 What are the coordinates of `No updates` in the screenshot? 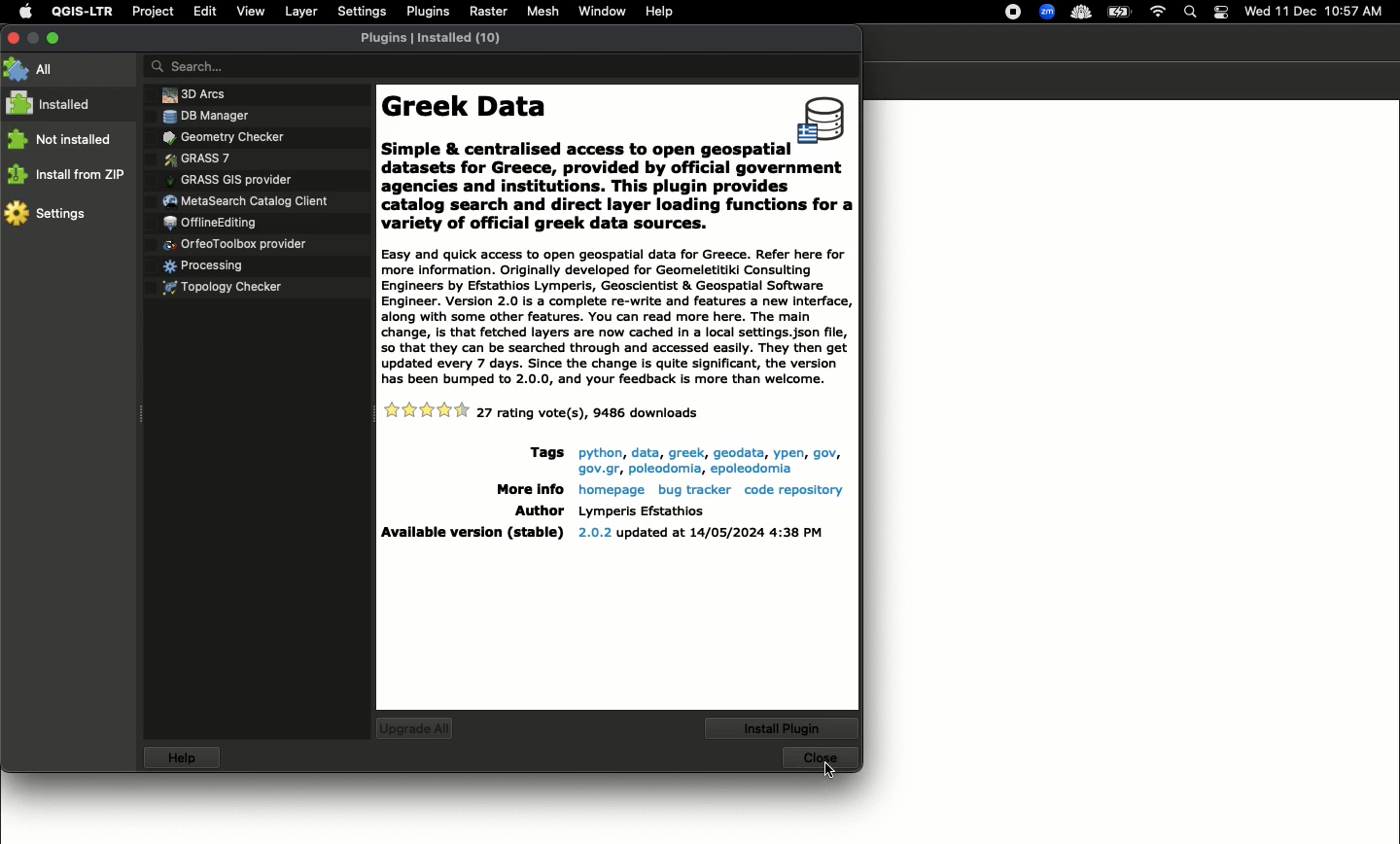 It's located at (424, 727).